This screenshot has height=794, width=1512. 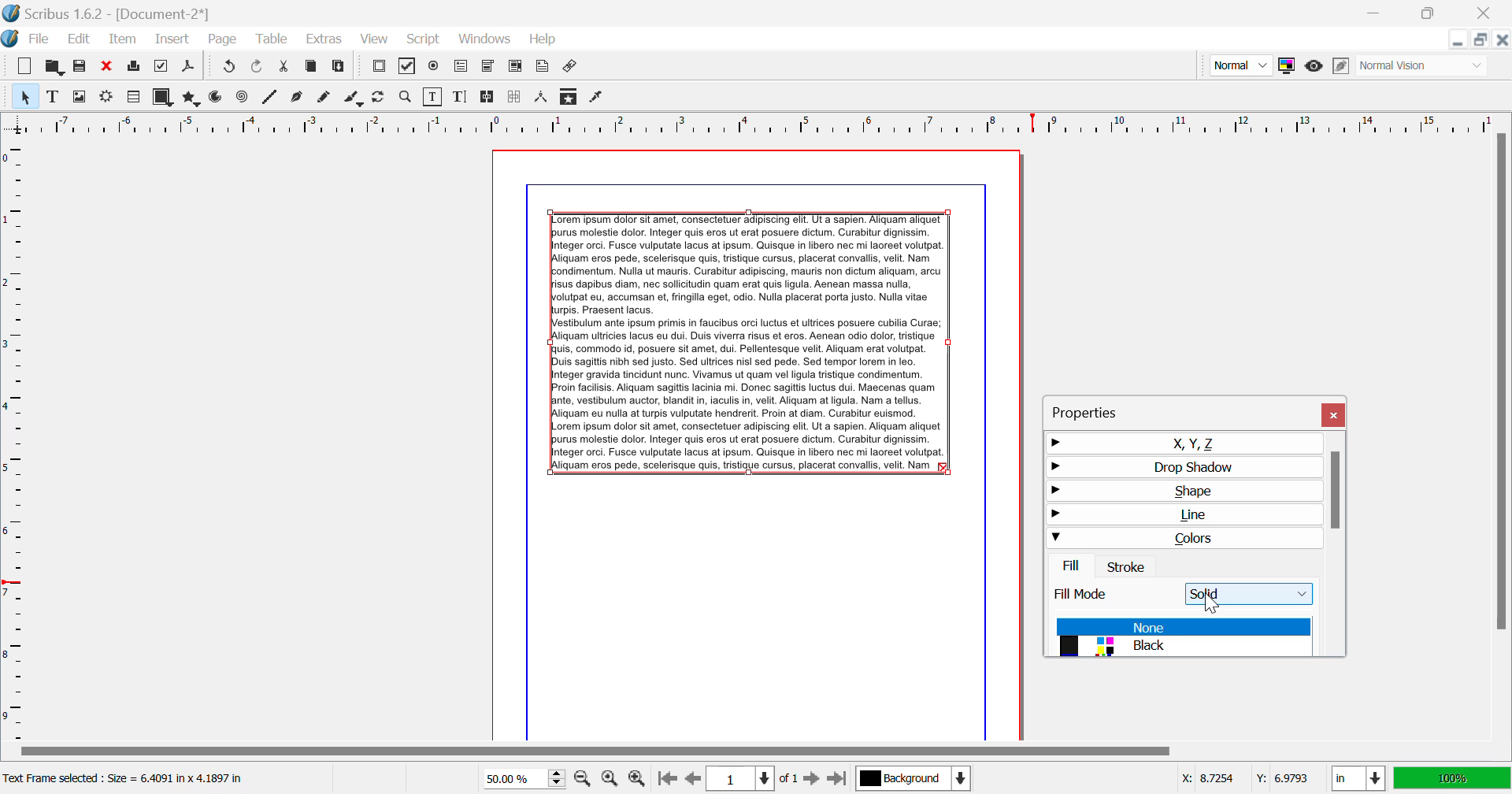 I want to click on Minimize, so click(x=1432, y=13).